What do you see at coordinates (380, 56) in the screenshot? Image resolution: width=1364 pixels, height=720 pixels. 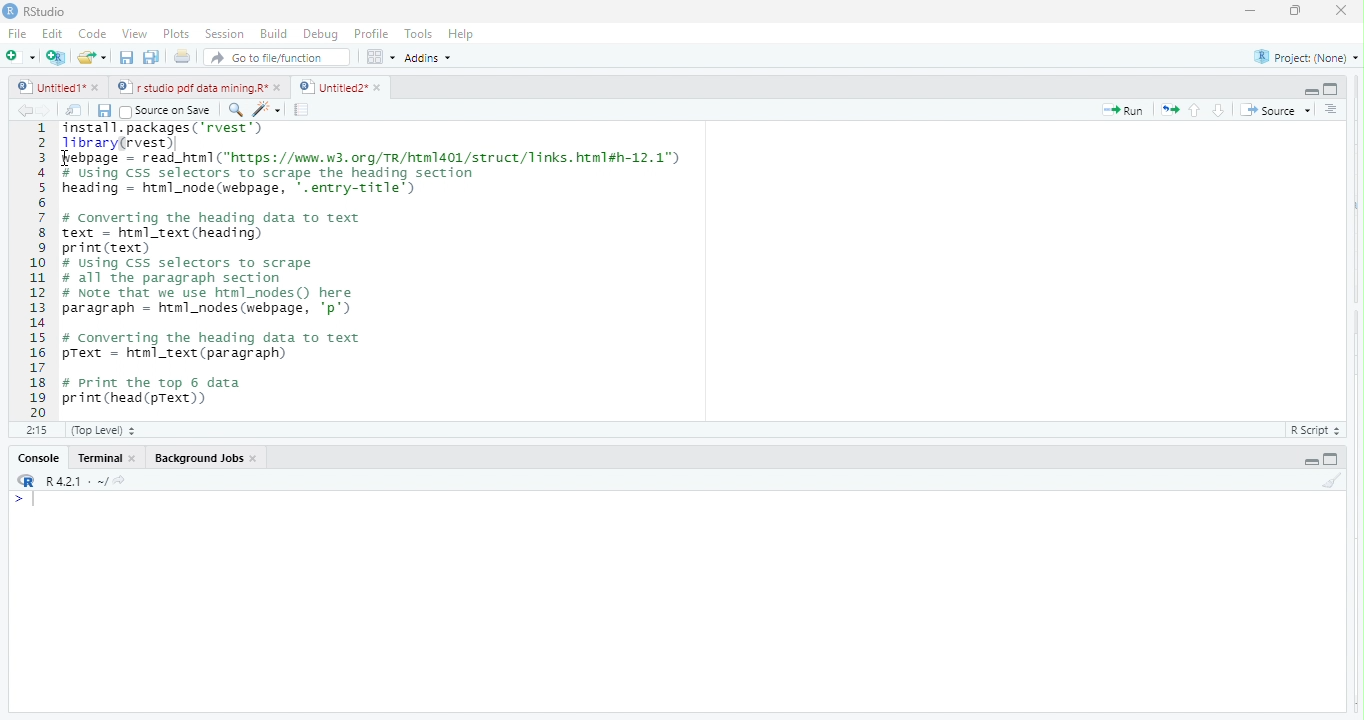 I see `option` at bounding box center [380, 56].